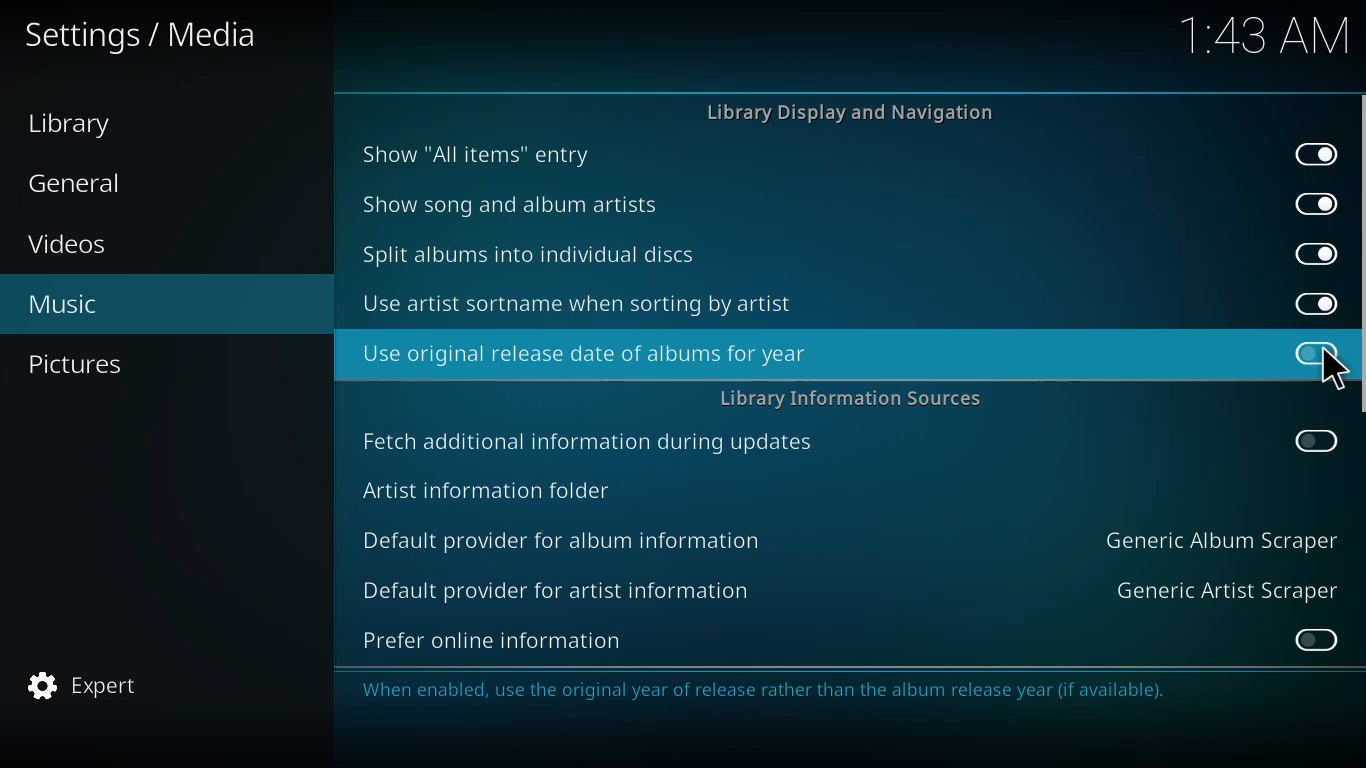 The height and width of the screenshot is (768, 1366). Describe the element at coordinates (592, 442) in the screenshot. I see `fetch additional info` at that location.